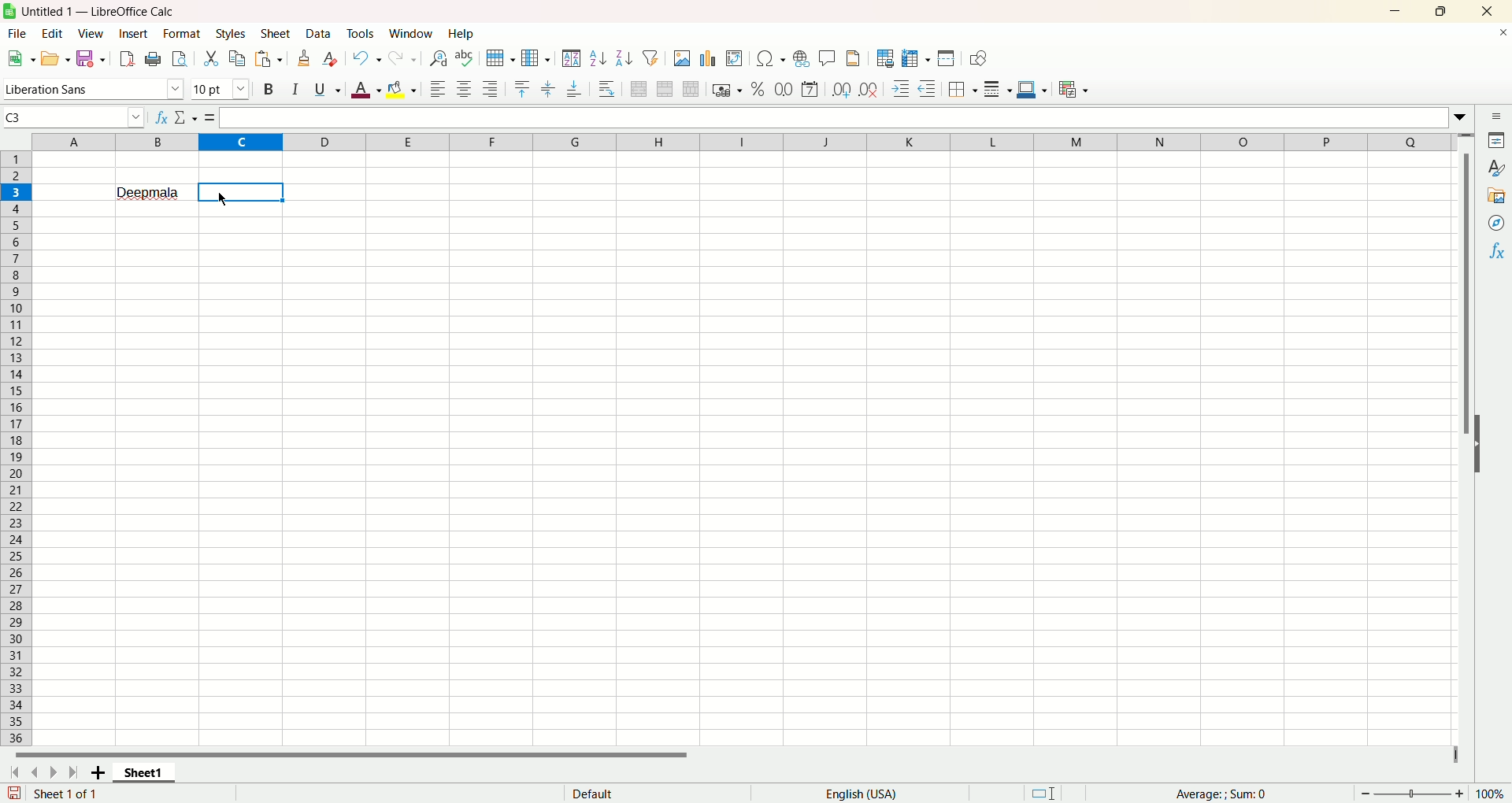 The image size is (1512, 803). I want to click on Border color, so click(1032, 89).